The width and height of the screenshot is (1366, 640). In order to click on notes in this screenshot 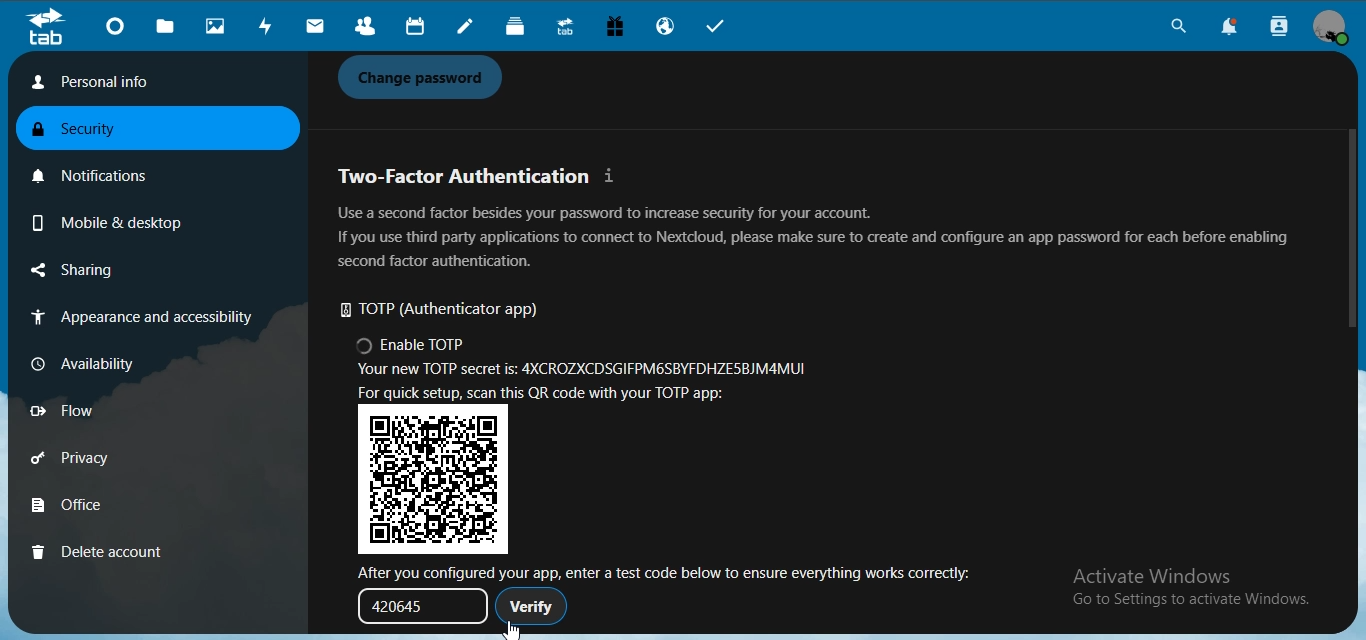, I will do `click(468, 28)`.